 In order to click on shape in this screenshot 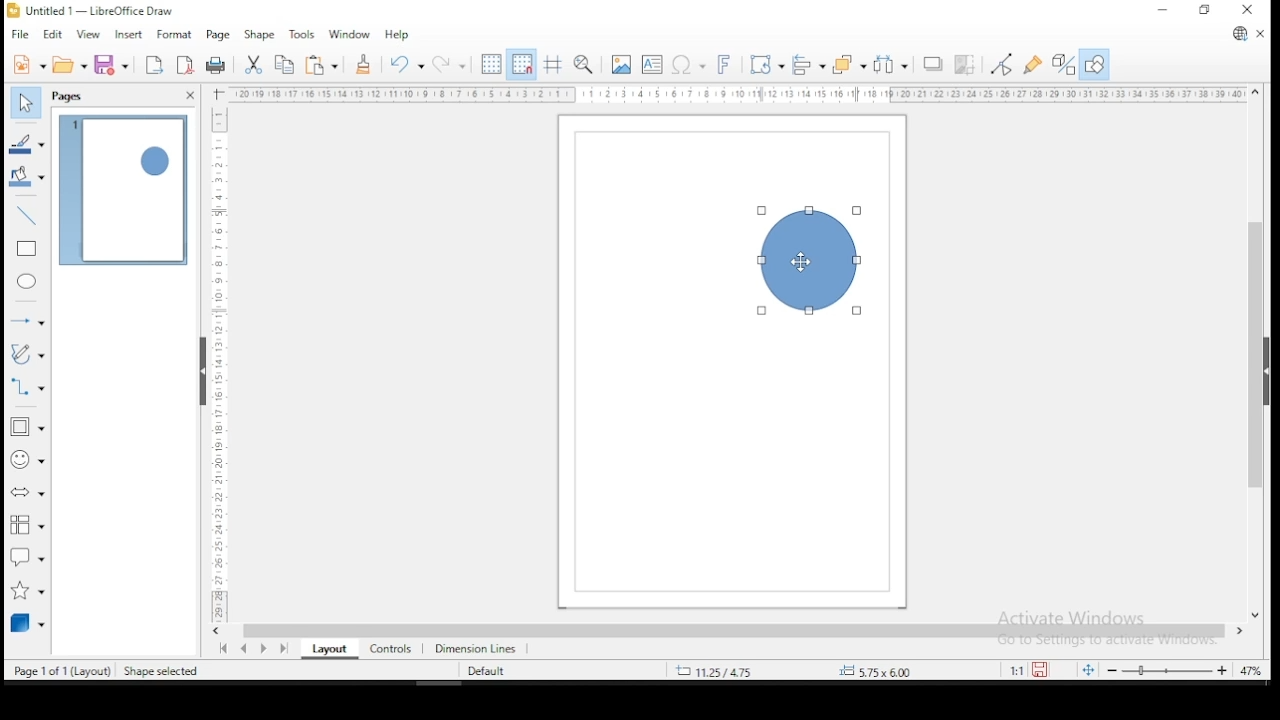, I will do `click(258, 36)`.